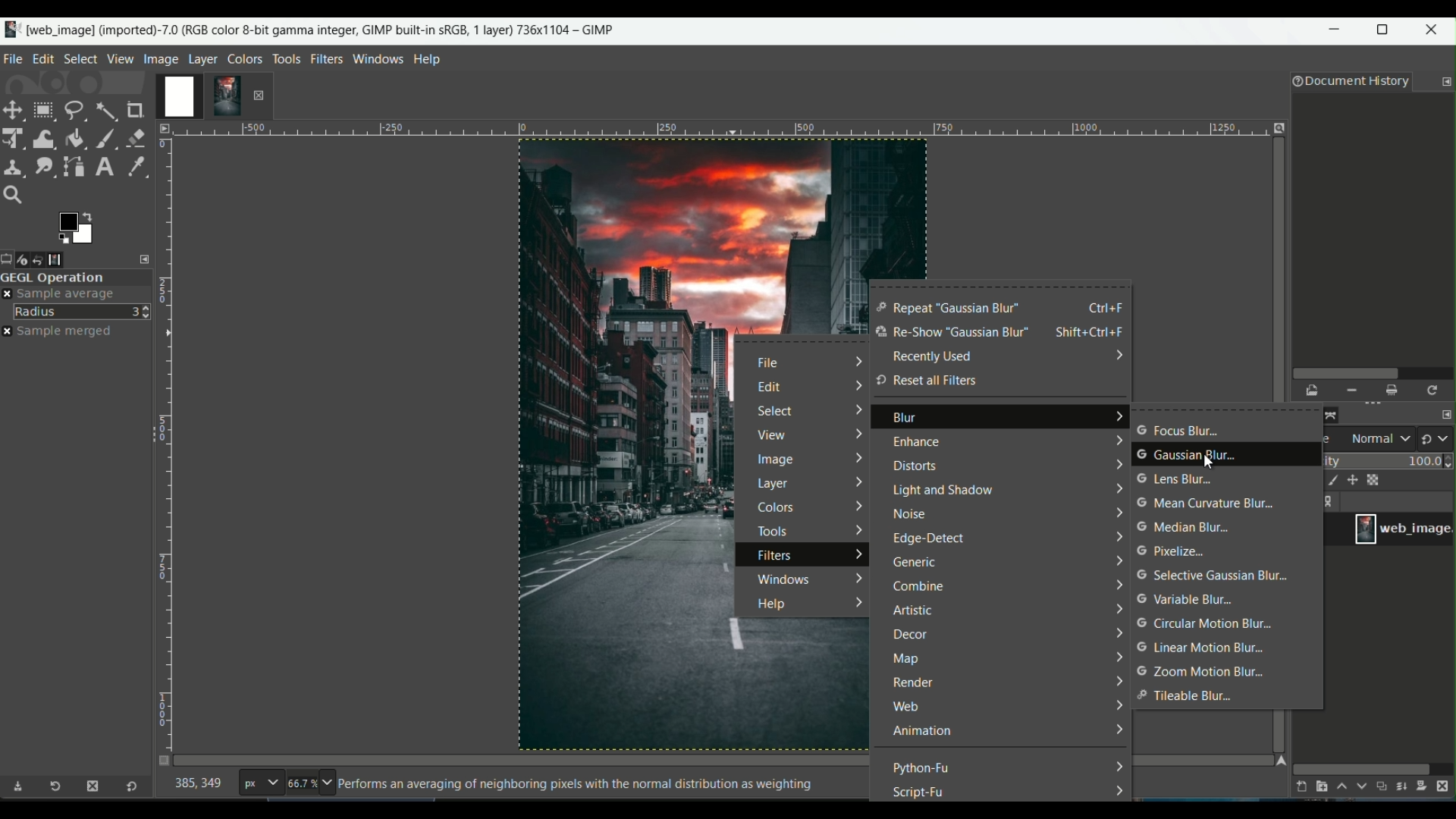 The image size is (1456, 819). What do you see at coordinates (1403, 529) in the screenshot?
I see `image name` at bounding box center [1403, 529].